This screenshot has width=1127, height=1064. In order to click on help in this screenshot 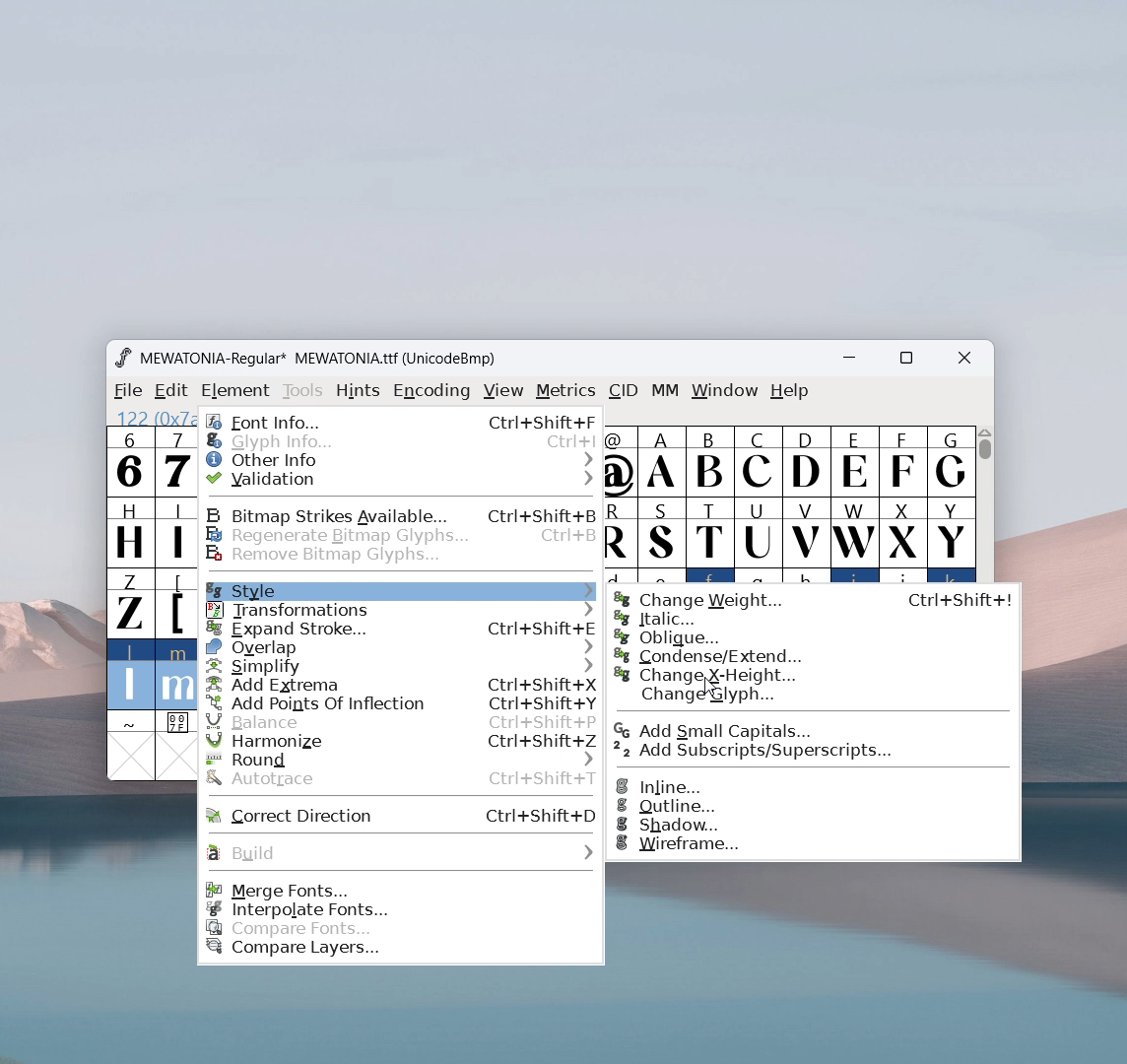, I will do `click(790, 391)`.